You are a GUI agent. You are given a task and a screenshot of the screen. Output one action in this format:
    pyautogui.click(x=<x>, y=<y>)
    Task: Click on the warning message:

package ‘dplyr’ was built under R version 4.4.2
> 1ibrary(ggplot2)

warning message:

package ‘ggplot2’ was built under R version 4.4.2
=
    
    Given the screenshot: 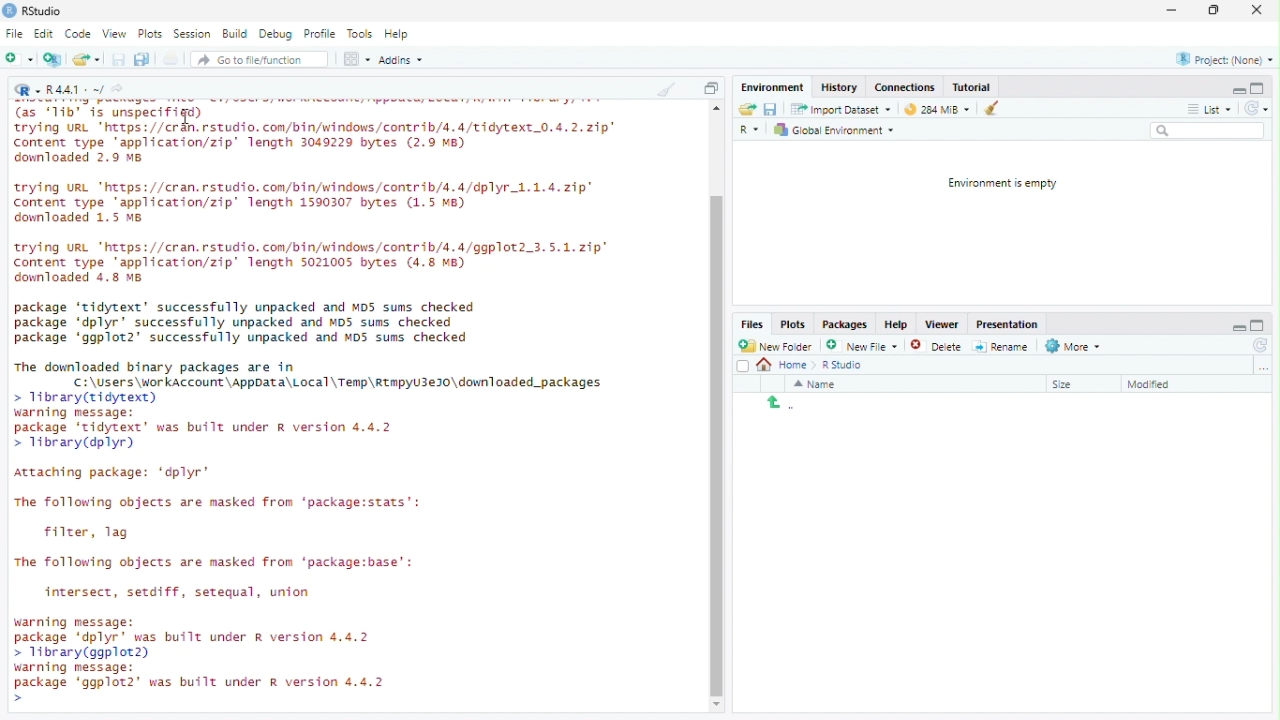 What is the action you would take?
    pyautogui.click(x=202, y=659)
    